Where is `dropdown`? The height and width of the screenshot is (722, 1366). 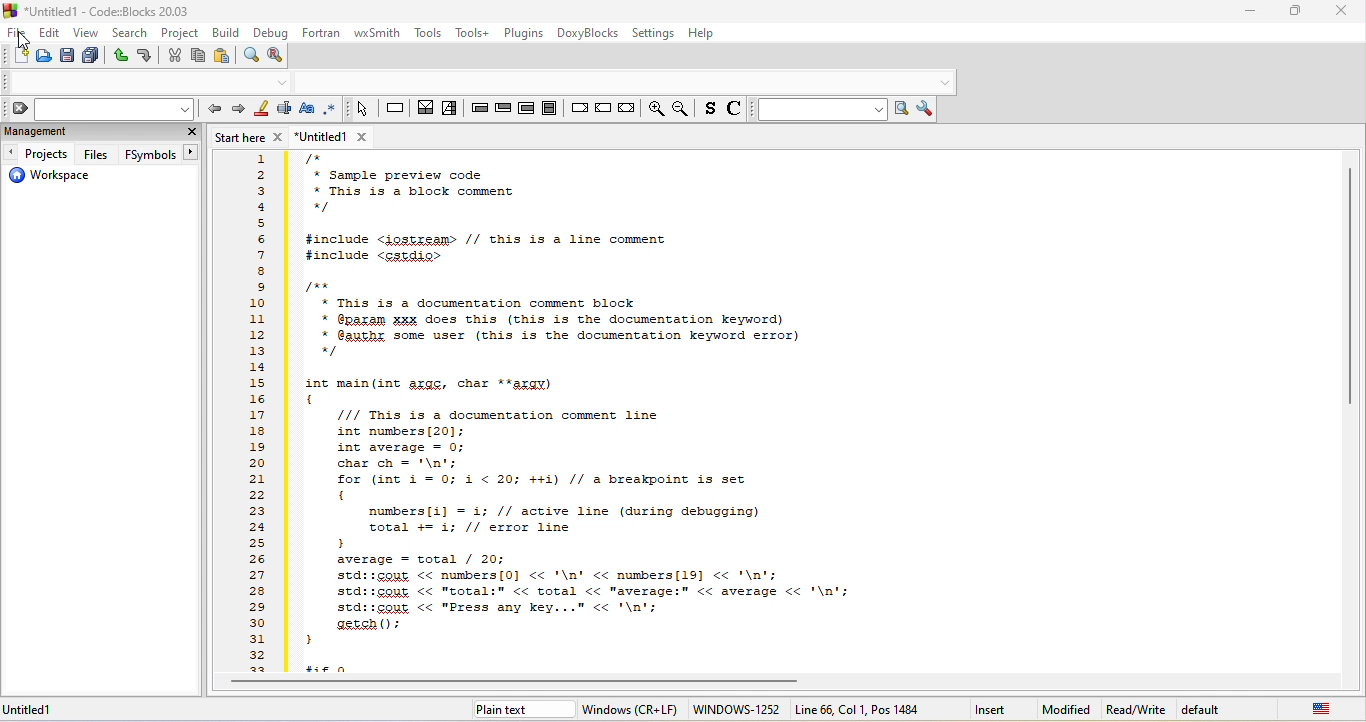 dropdown is located at coordinates (945, 83).